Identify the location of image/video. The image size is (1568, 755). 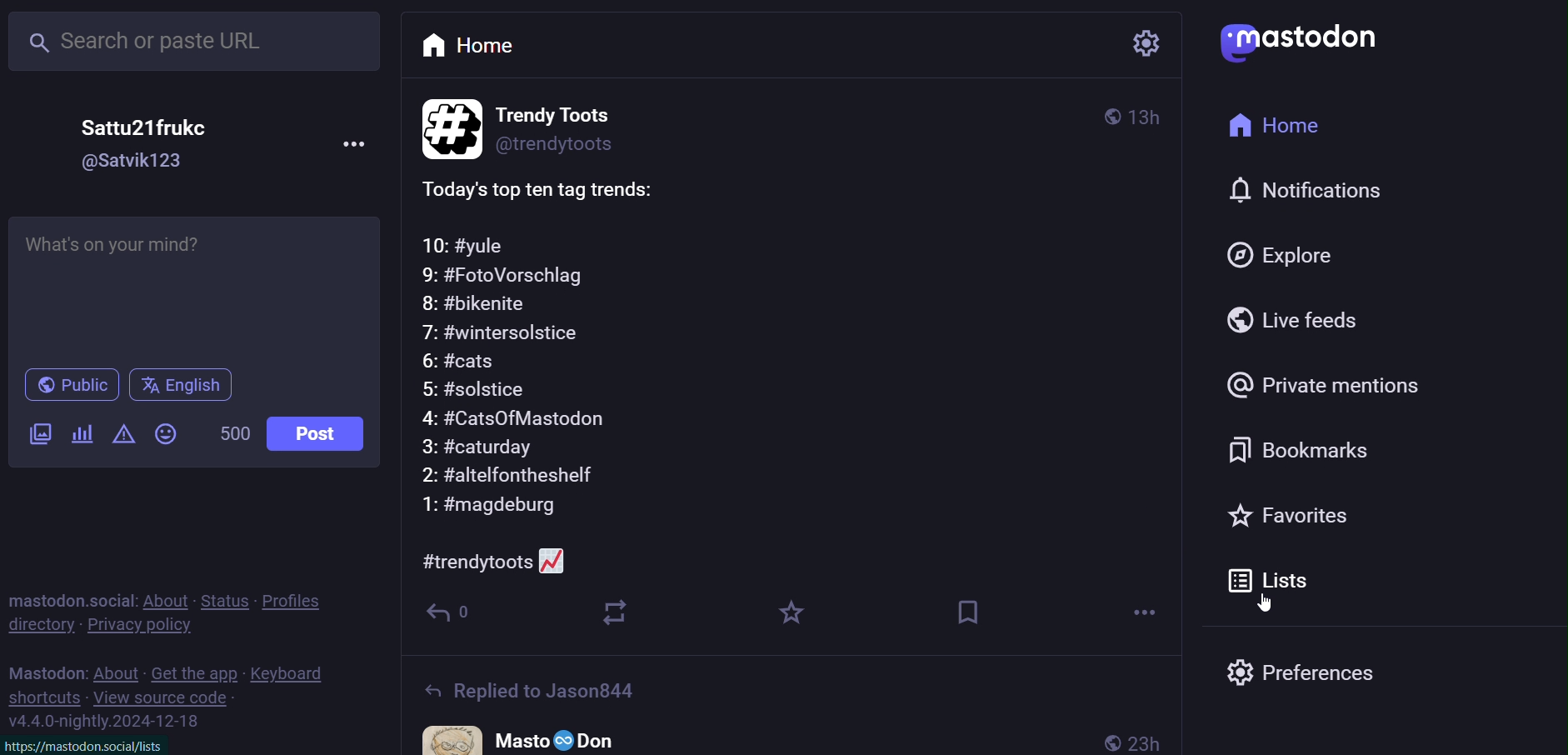
(34, 435).